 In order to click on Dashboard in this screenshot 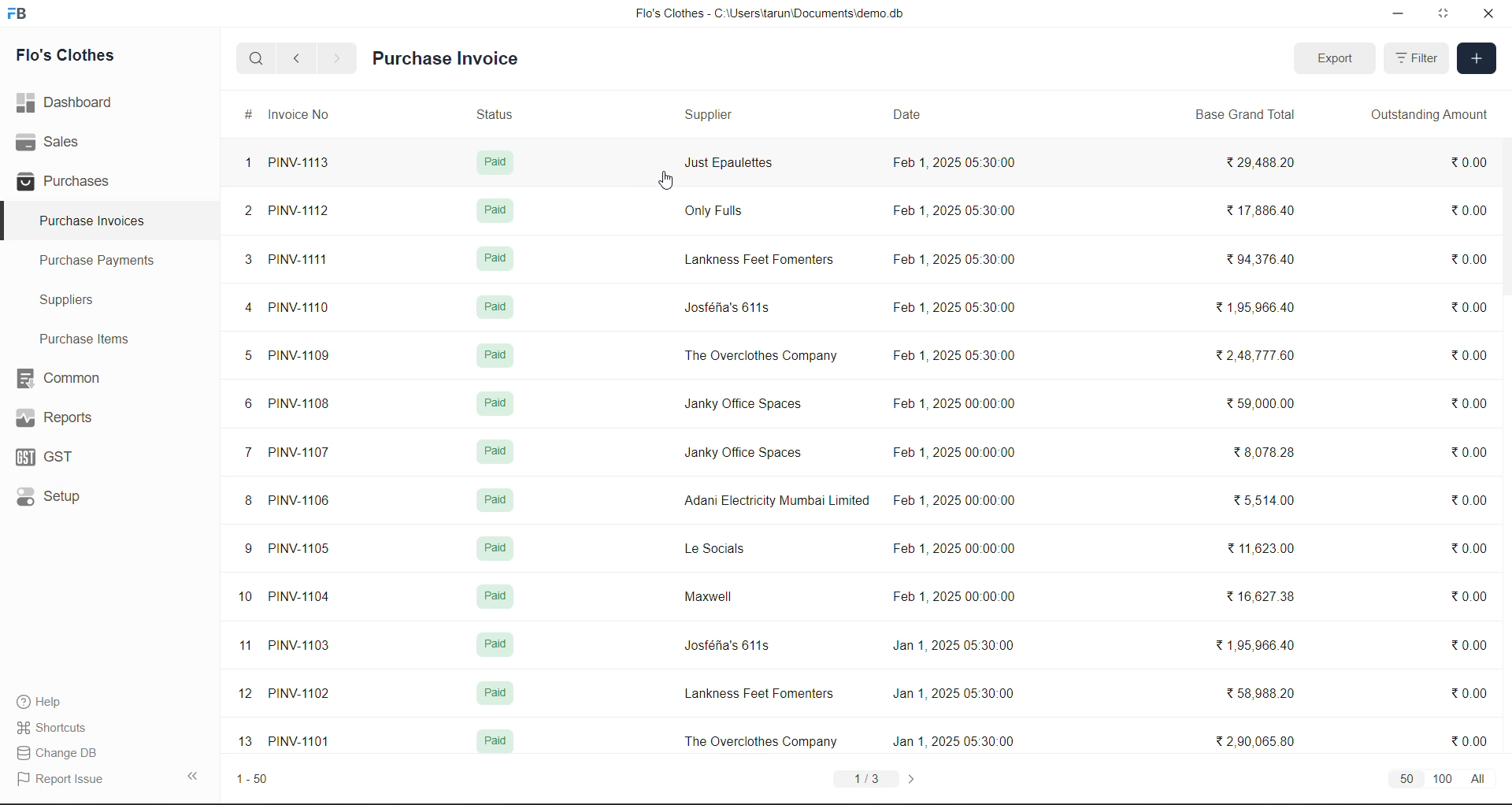, I will do `click(69, 102)`.